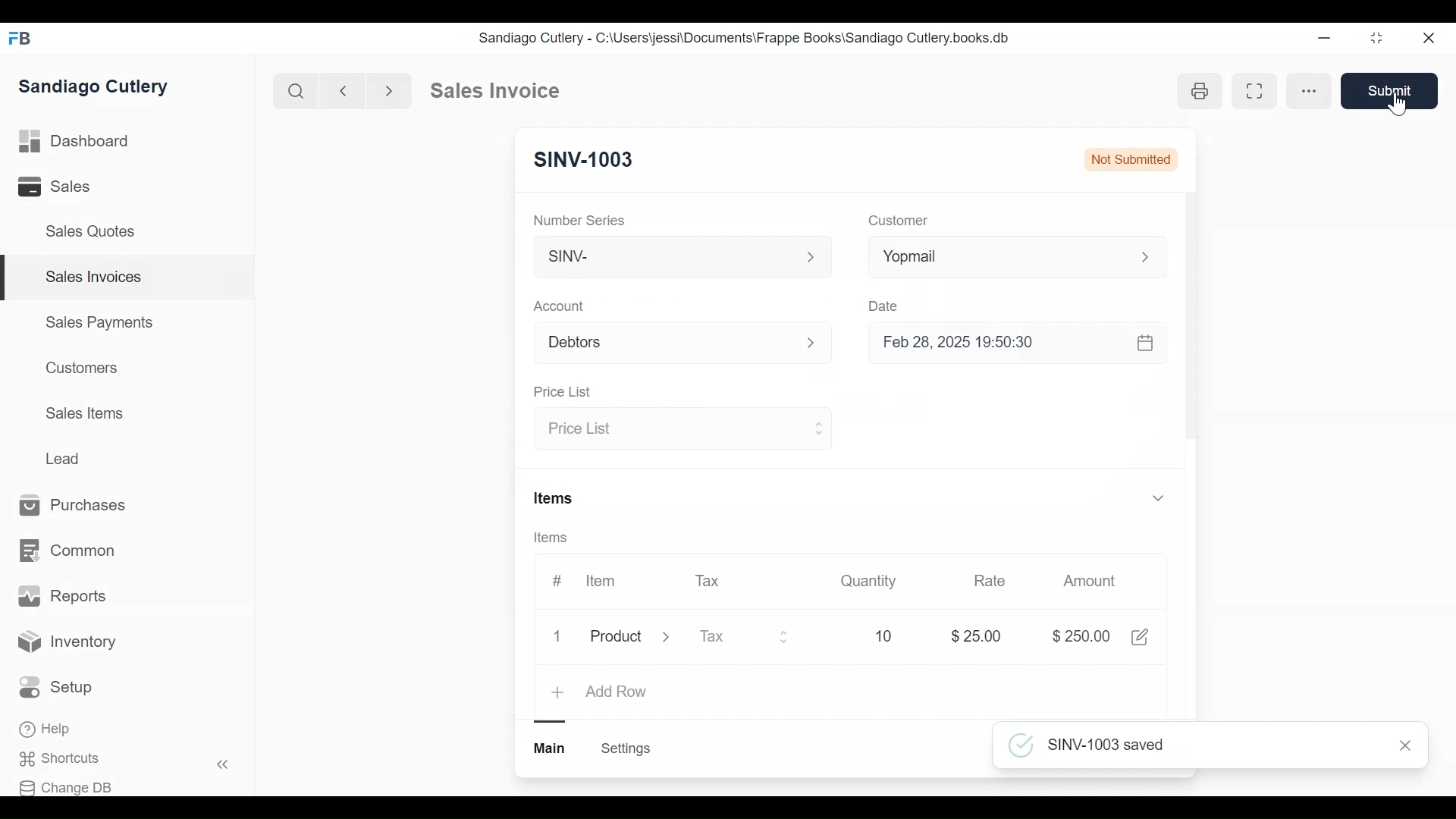 This screenshot has width=1456, height=819. What do you see at coordinates (551, 748) in the screenshot?
I see `main` at bounding box center [551, 748].